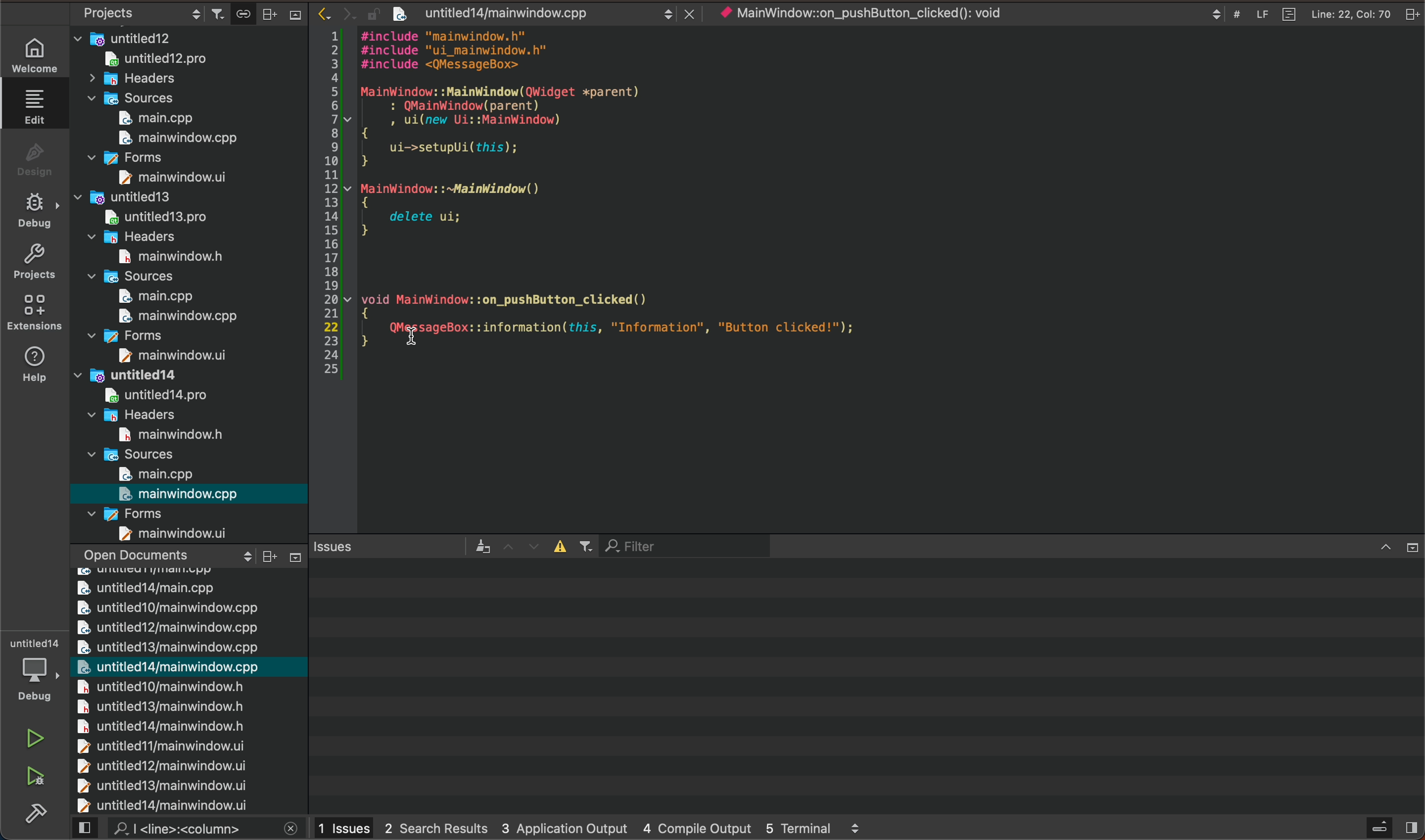 This screenshot has width=1425, height=840. I want to click on debugger, so click(37, 673).